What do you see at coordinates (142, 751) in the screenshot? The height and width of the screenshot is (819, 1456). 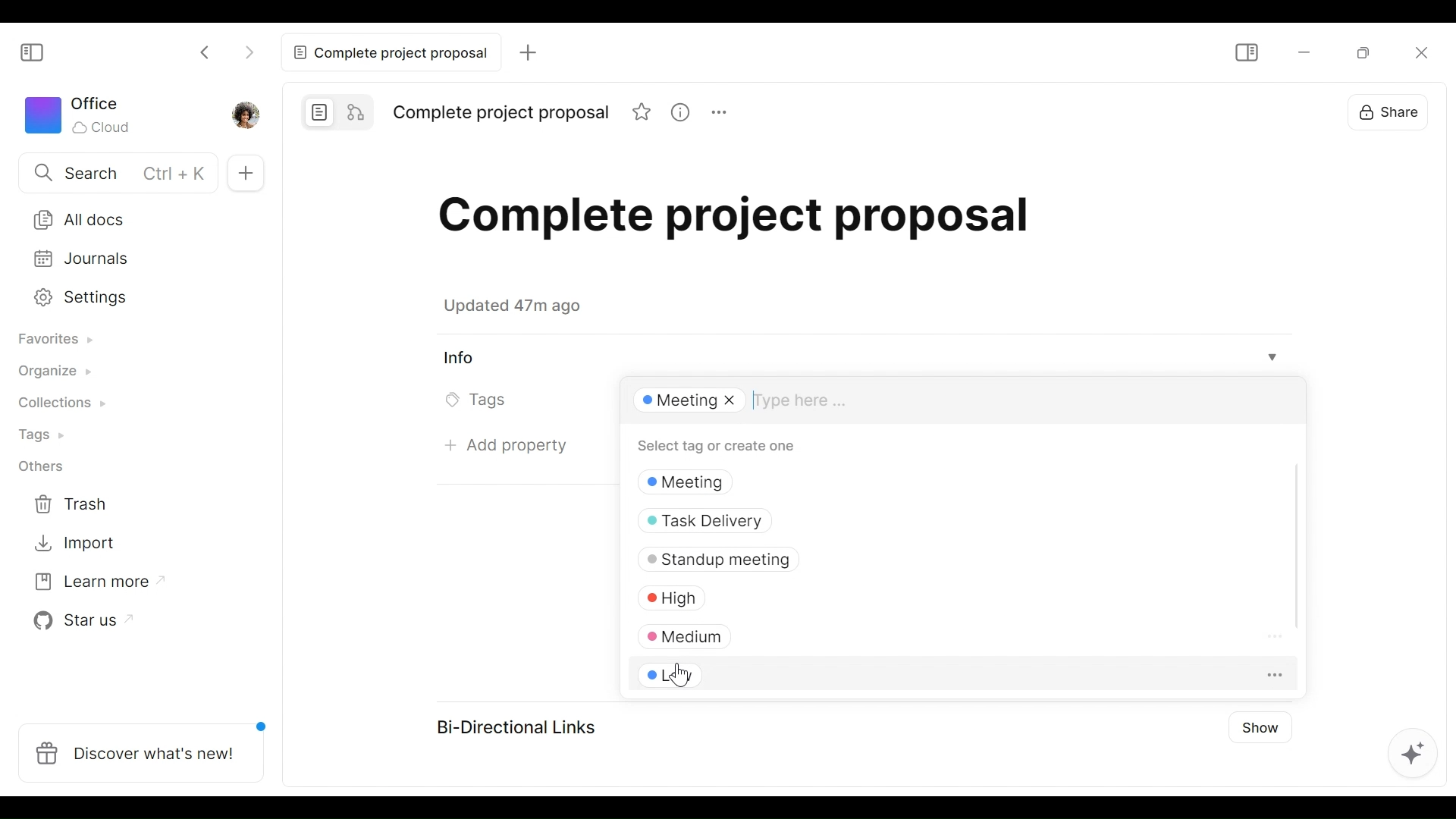 I see `Discover what's new` at bounding box center [142, 751].